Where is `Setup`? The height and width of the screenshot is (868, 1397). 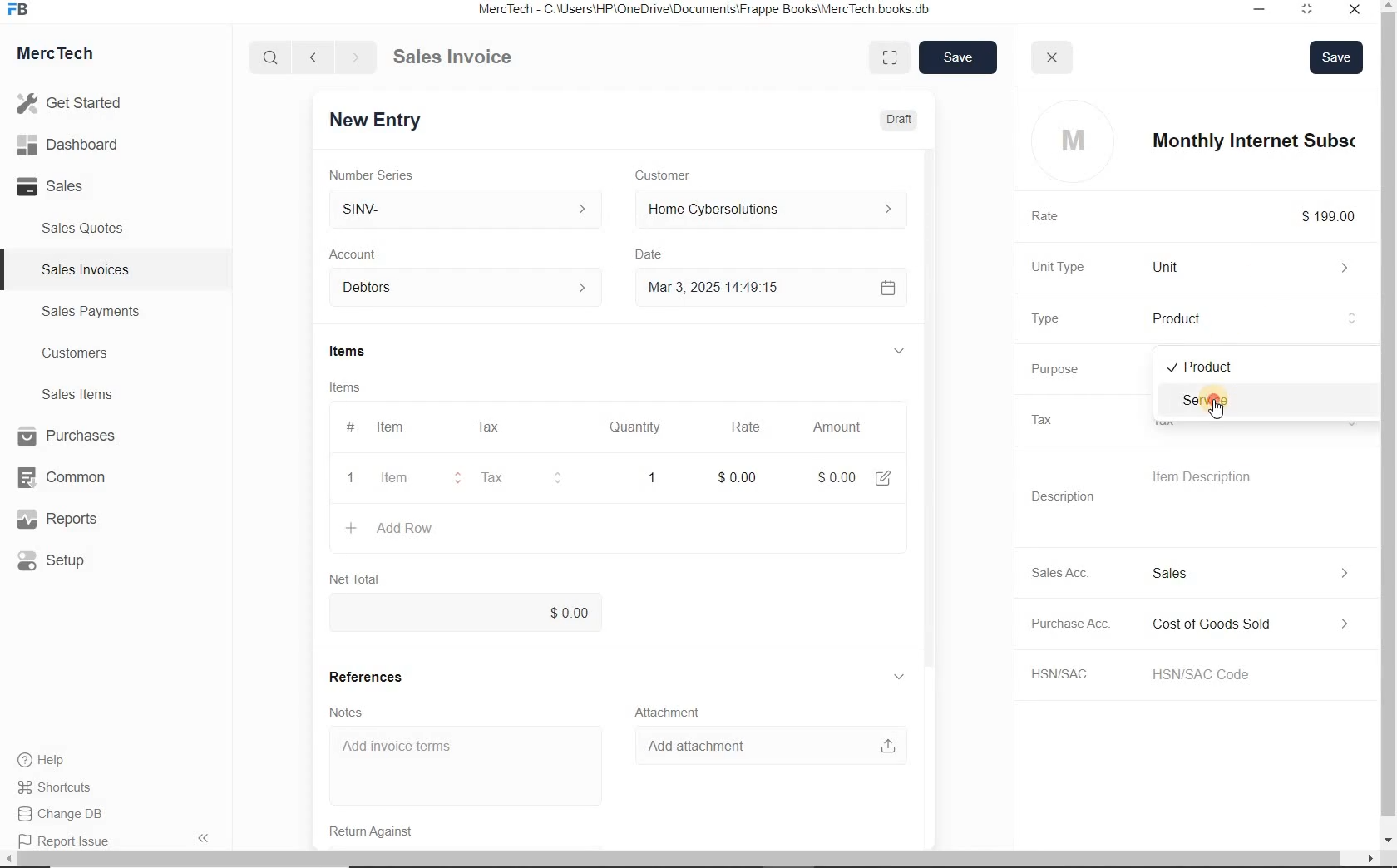
Setup is located at coordinates (70, 560).